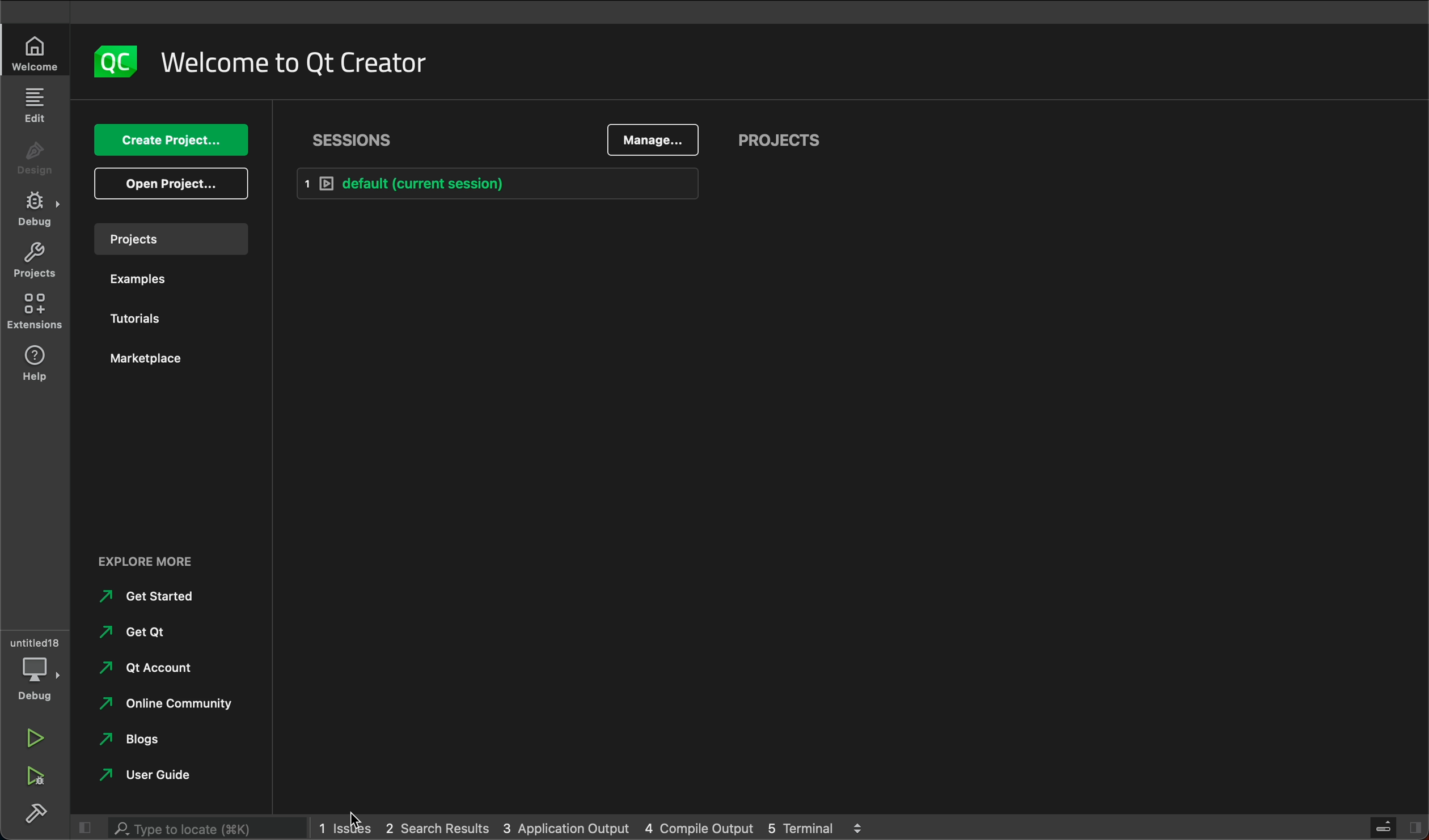 Image resolution: width=1429 pixels, height=840 pixels. Describe the element at coordinates (141, 283) in the screenshot. I see `examples` at that location.